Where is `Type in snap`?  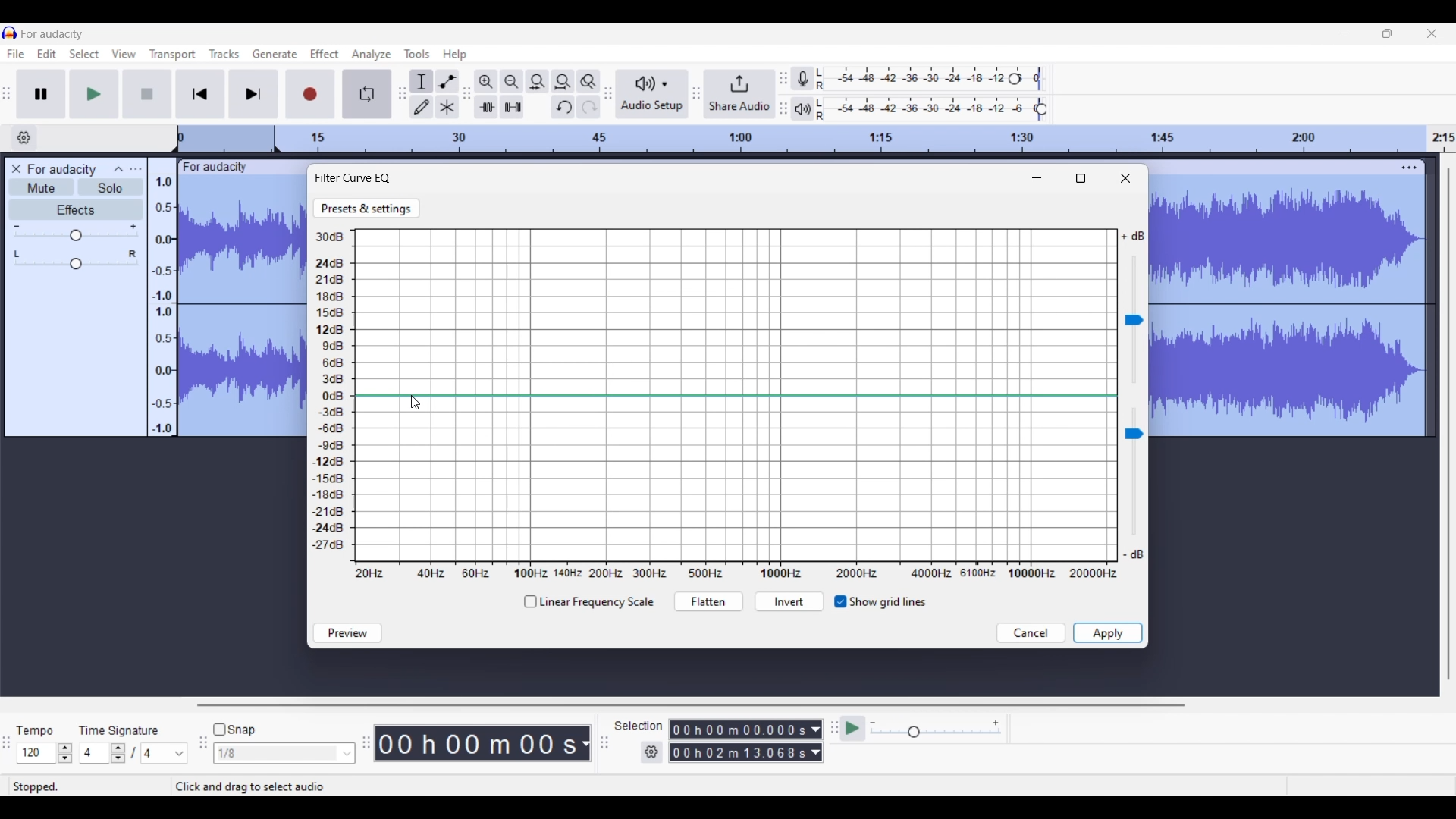
Type in snap is located at coordinates (277, 754).